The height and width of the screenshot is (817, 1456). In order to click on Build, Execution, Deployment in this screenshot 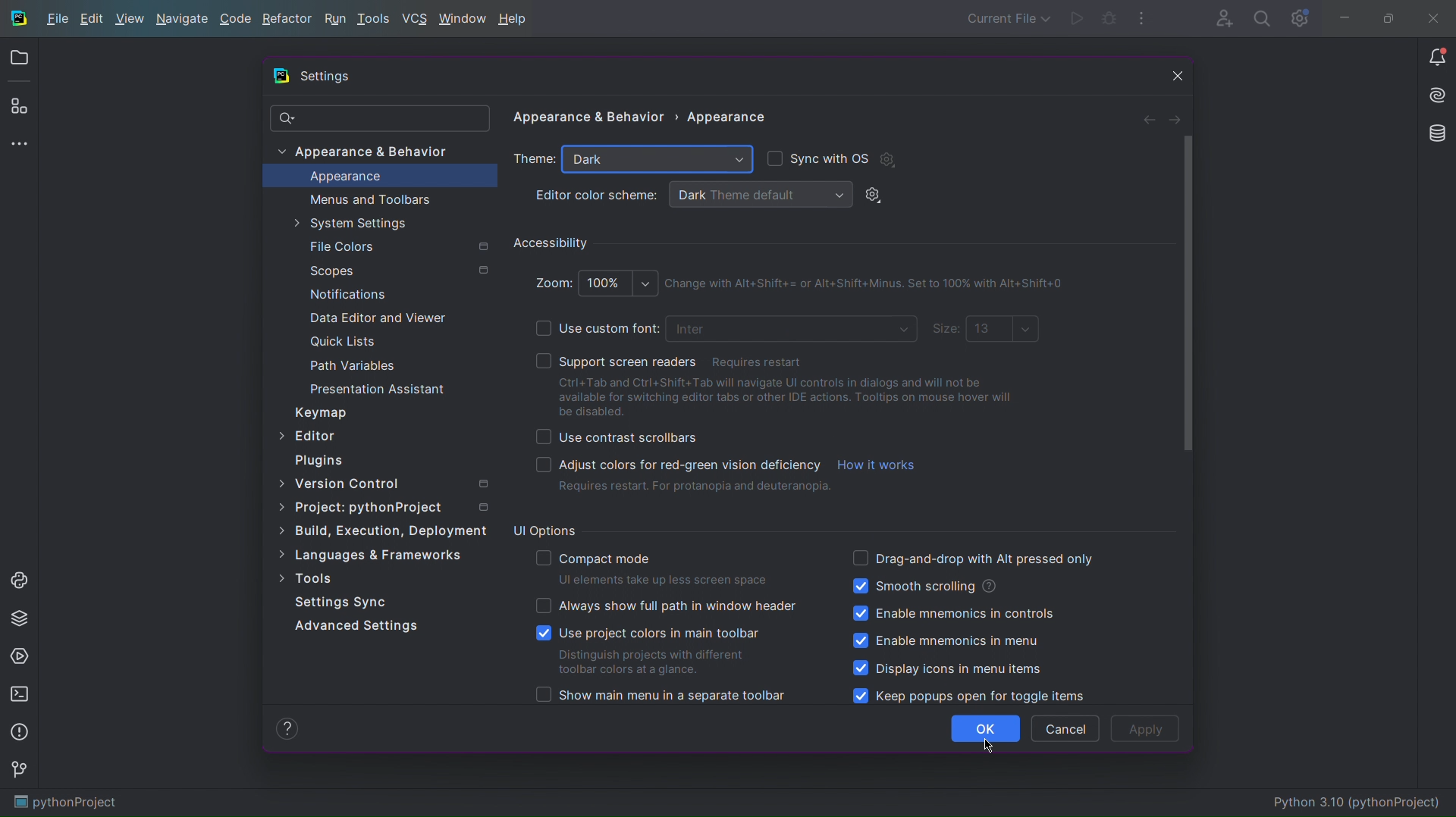, I will do `click(382, 529)`.